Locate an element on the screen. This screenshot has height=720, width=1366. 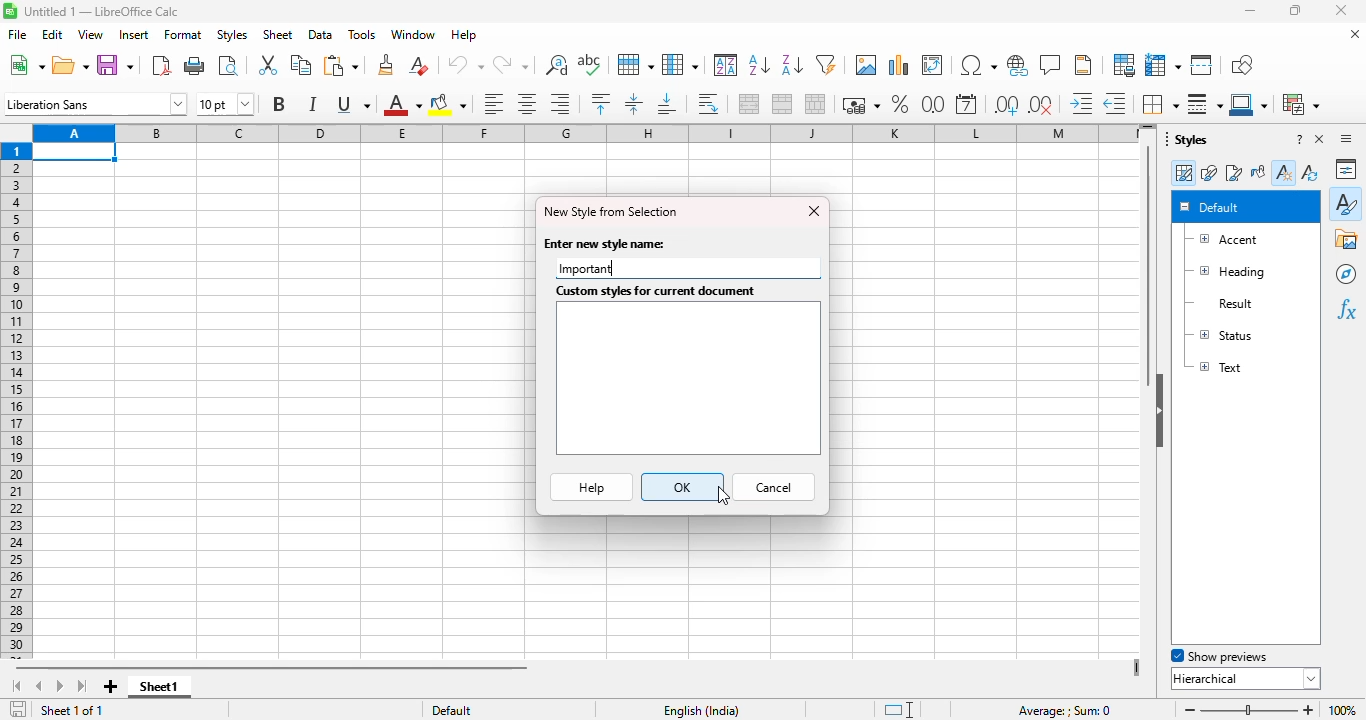
add new sheet is located at coordinates (111, 687).